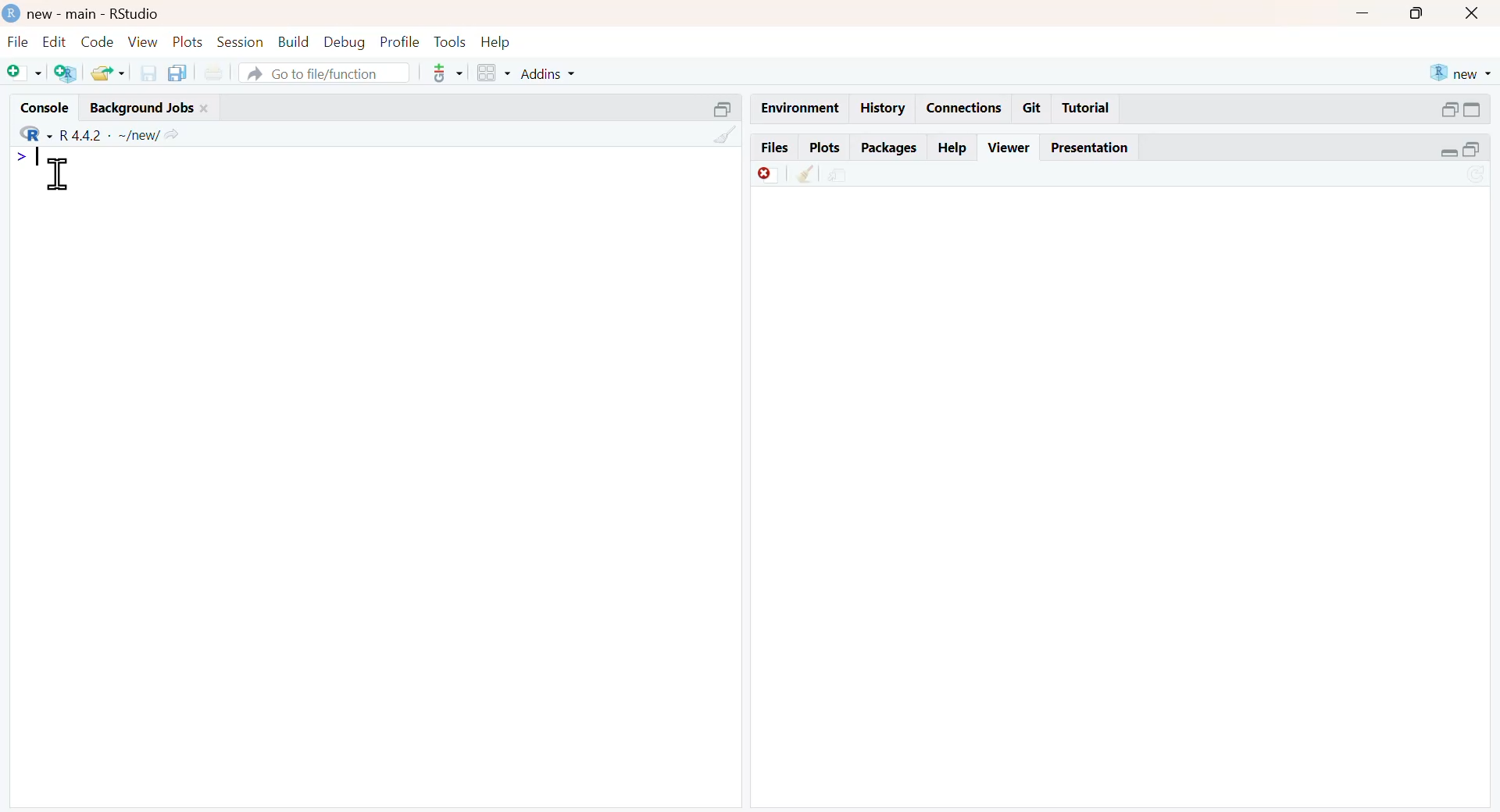 This screenshot has height=812, width=1500. Describe the element at coordinates (1011, 146) in the screenshot. I see `Viewer` at that location.